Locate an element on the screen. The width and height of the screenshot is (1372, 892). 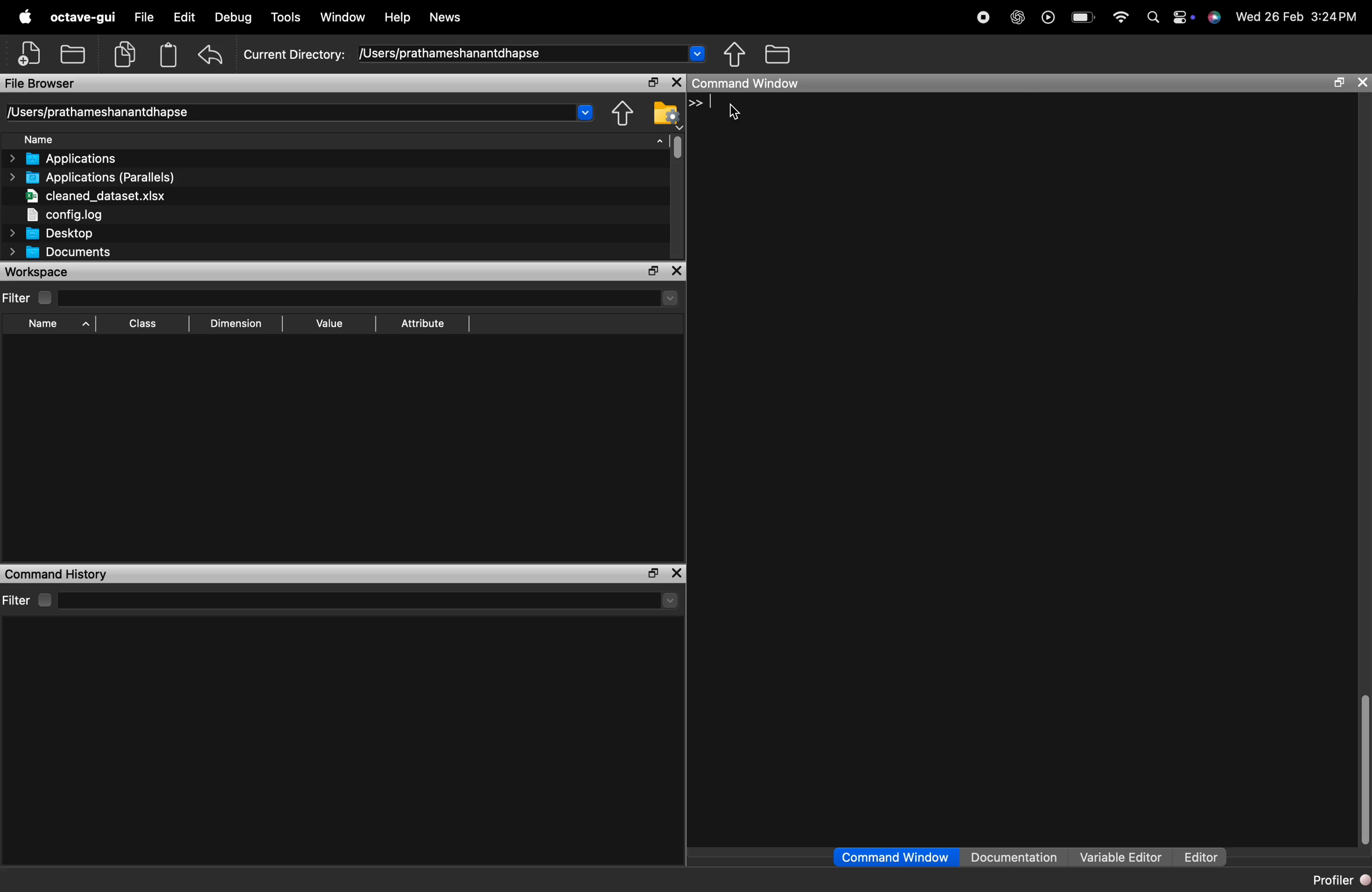
maximize is located at coordinates (1336, 84).